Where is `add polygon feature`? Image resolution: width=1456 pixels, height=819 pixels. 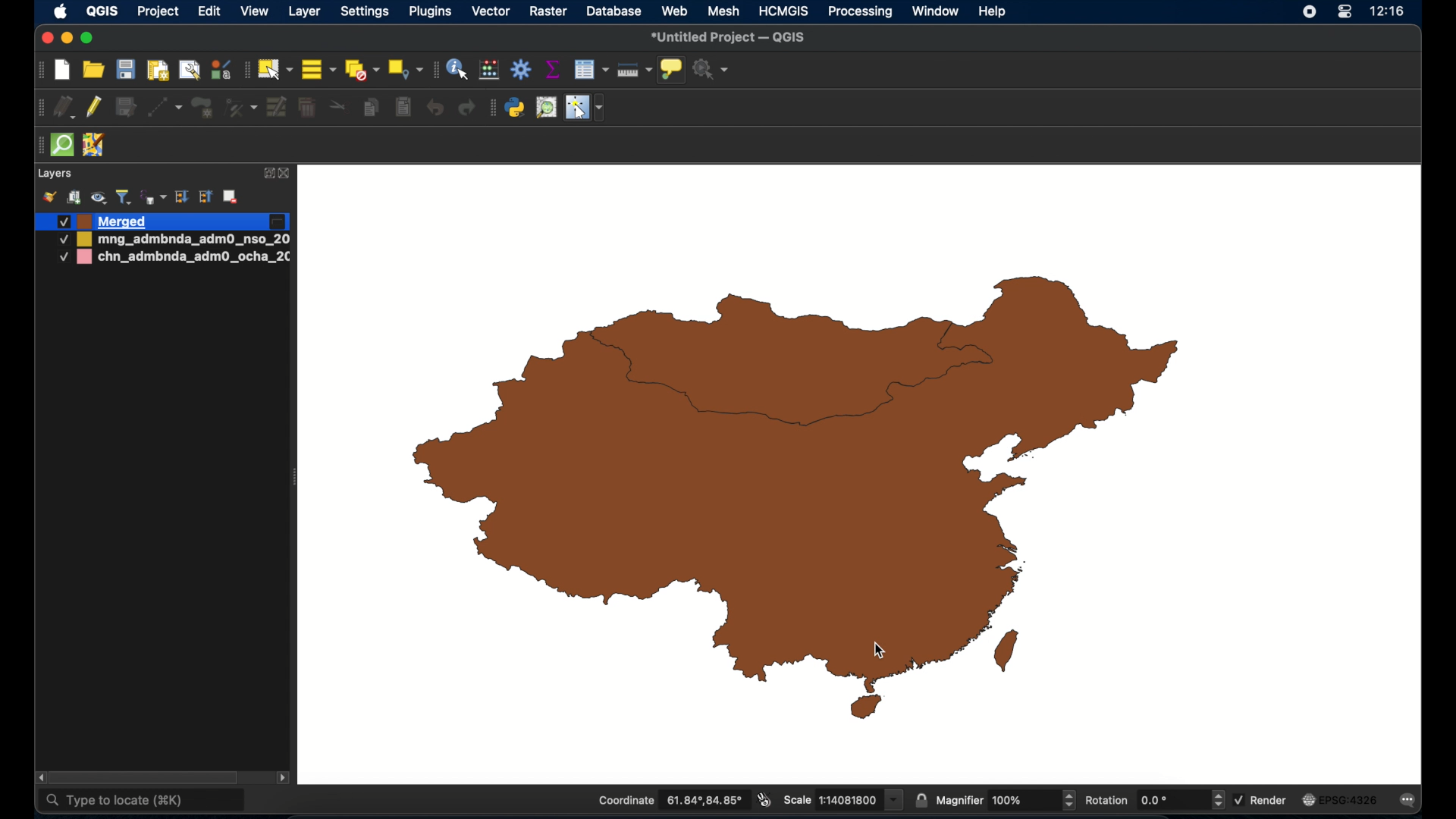
add polygon feature is located at coordinates (202, 108).